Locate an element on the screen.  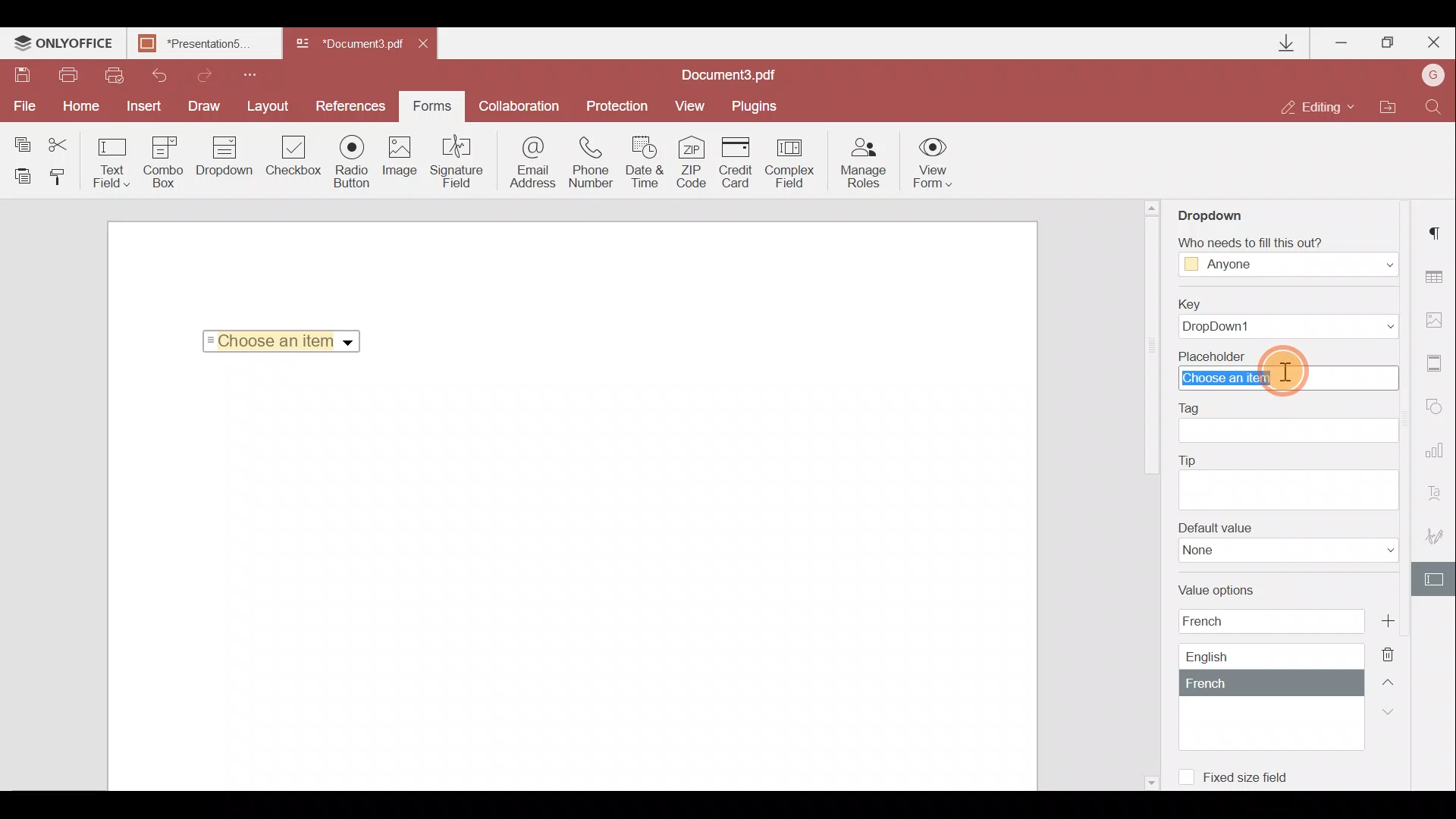
Presentation5 is located at coordinates (201, 45).